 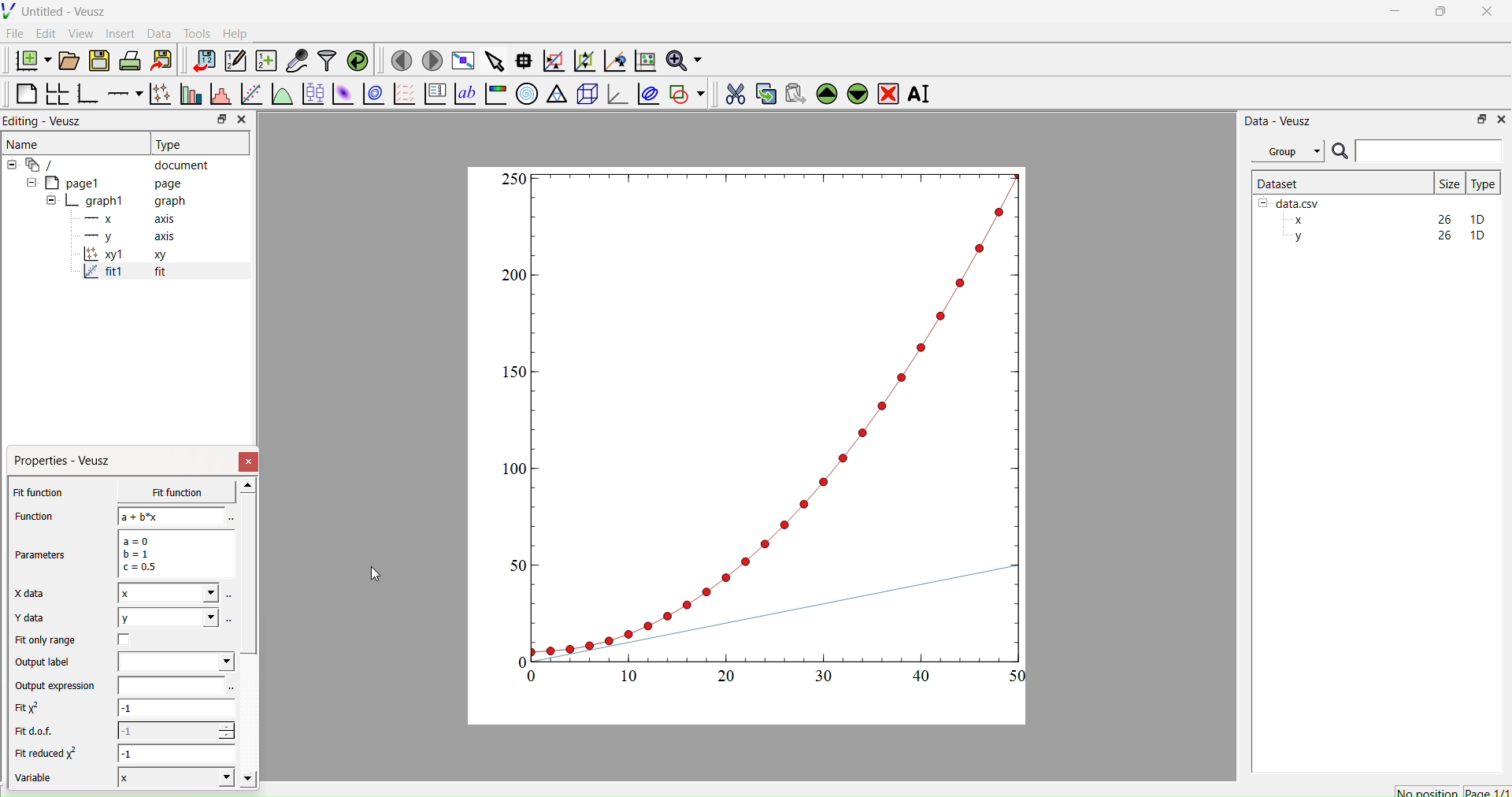 I want to click on Open, so click(x=66, y=61).